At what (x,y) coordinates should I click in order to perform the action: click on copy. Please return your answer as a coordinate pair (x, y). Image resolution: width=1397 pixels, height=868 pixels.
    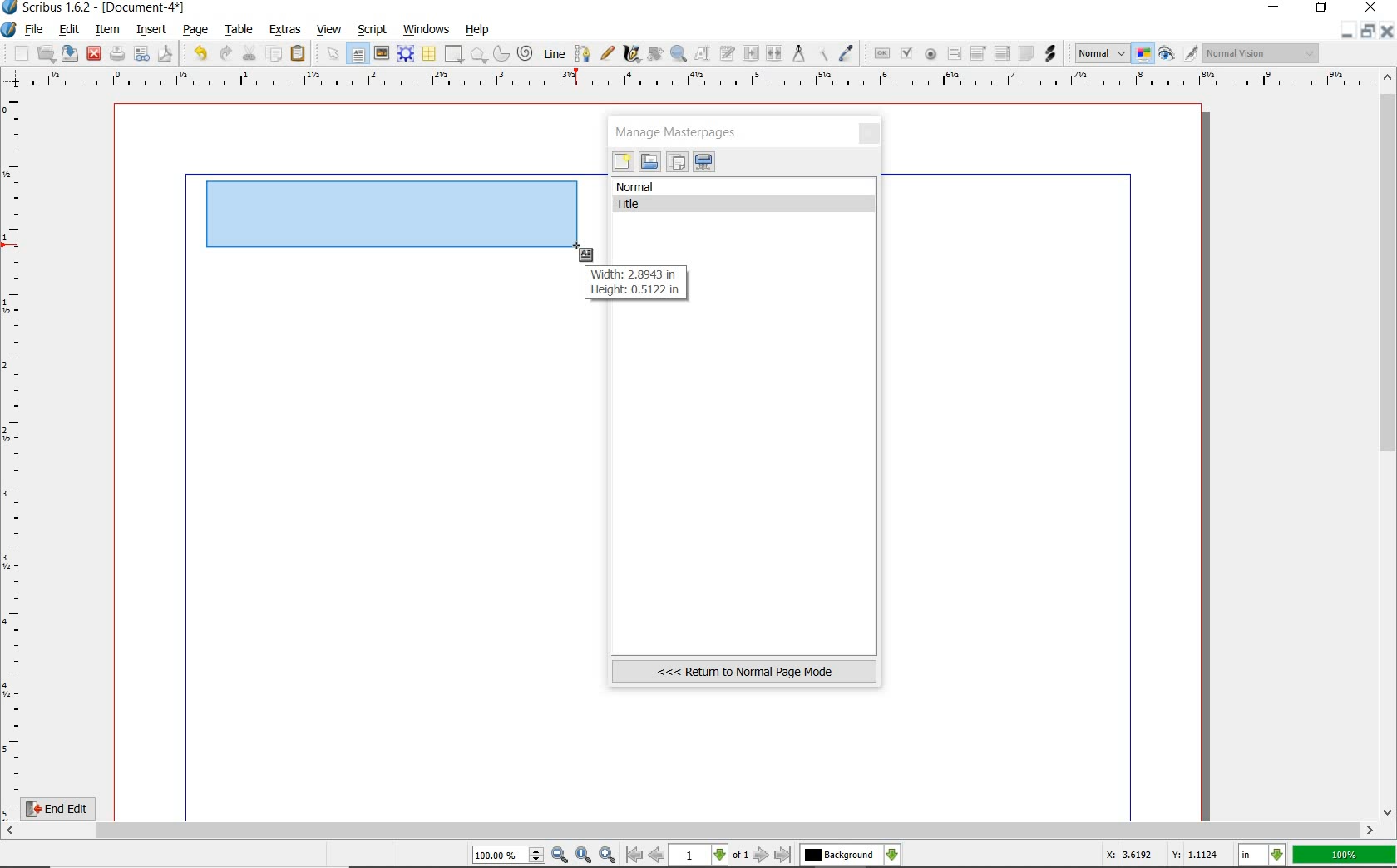
    Looking at the image, I should click on (274, 52).